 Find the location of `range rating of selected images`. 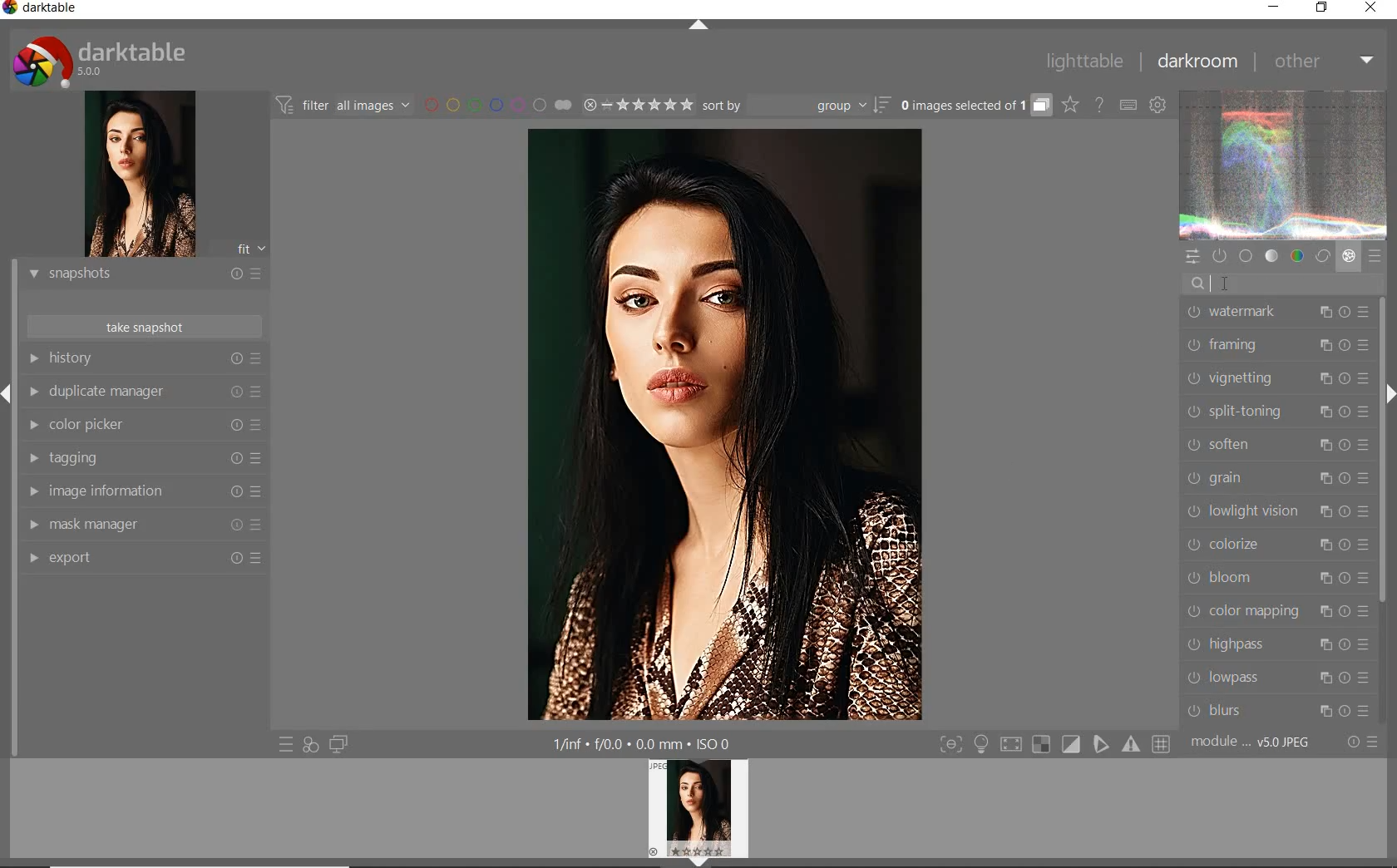

range rating of selected images is located at coordinates (635, 106).